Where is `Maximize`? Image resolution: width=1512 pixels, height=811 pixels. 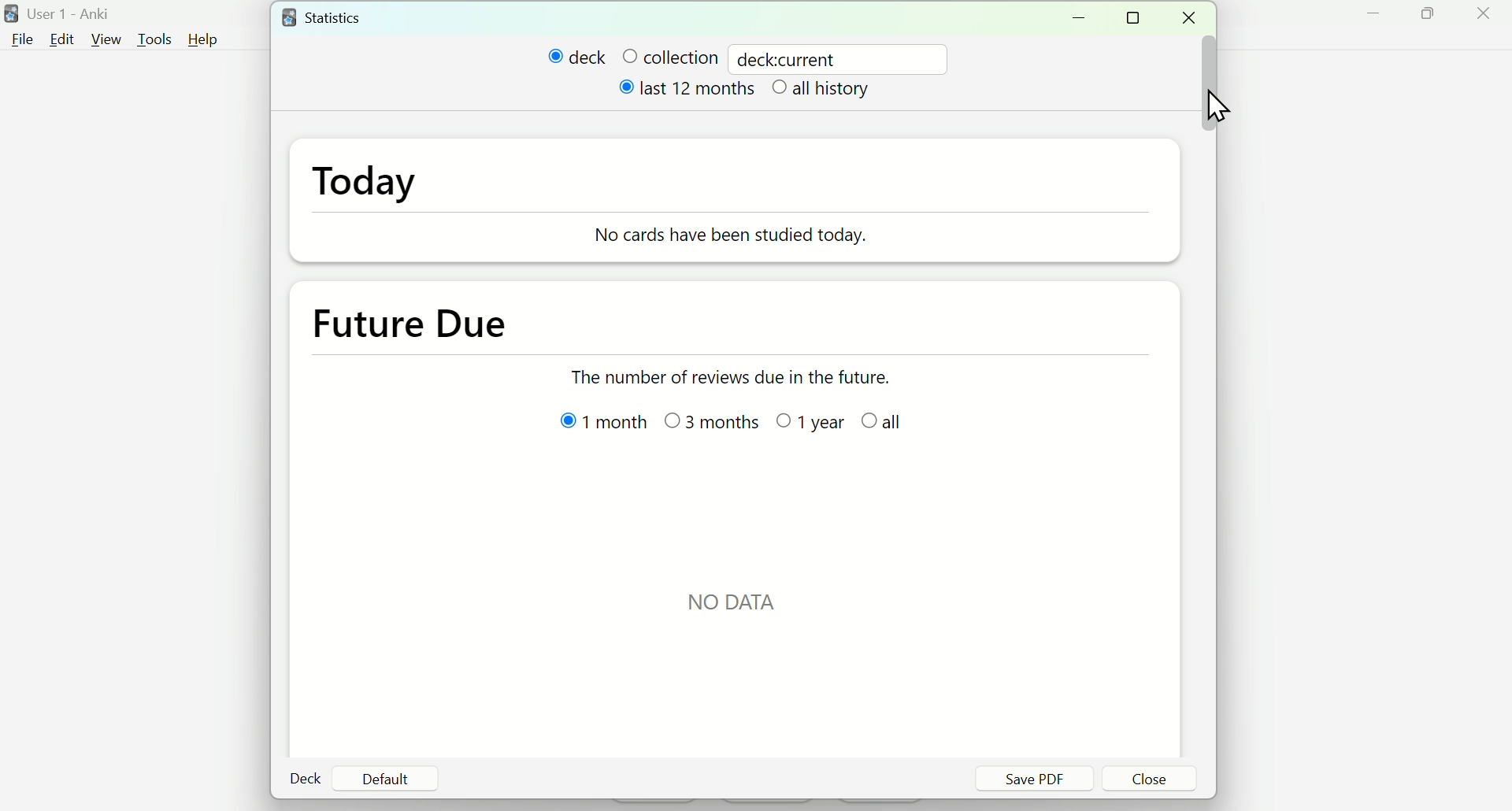 Maximize is located at coordinates (1138, 19).